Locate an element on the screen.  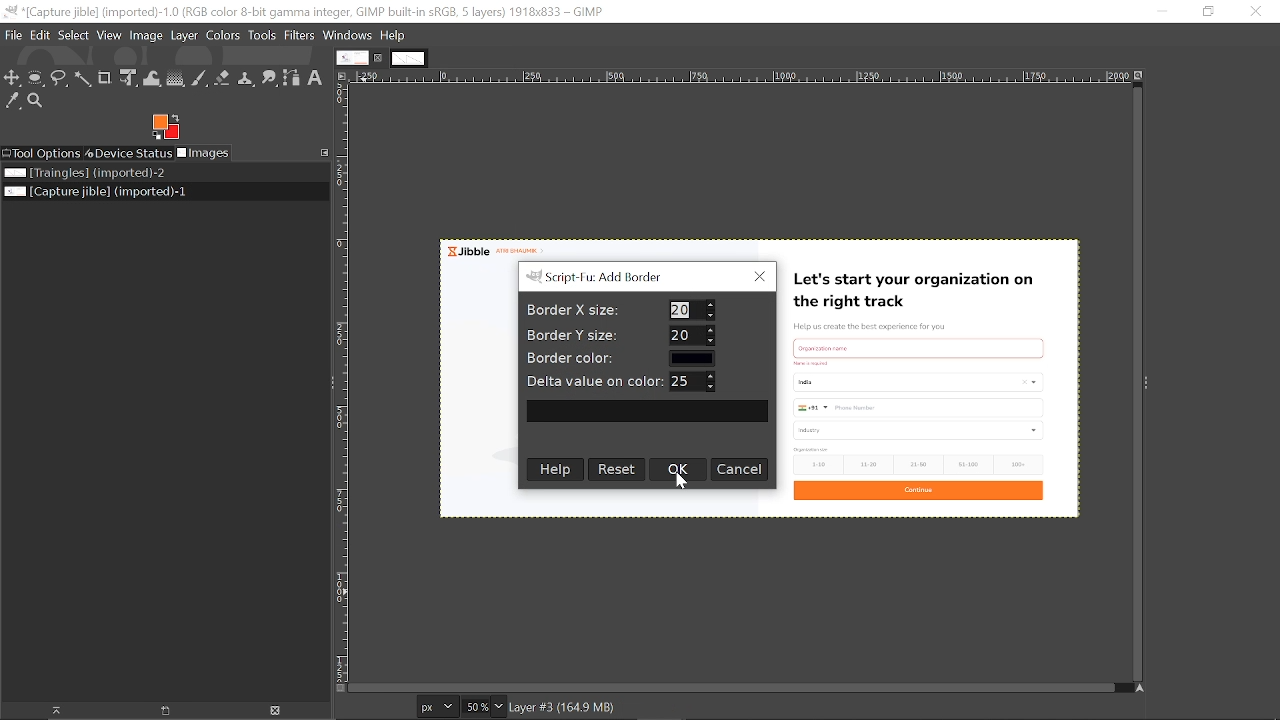
Horizontal label is located at coordinates (742, 77).